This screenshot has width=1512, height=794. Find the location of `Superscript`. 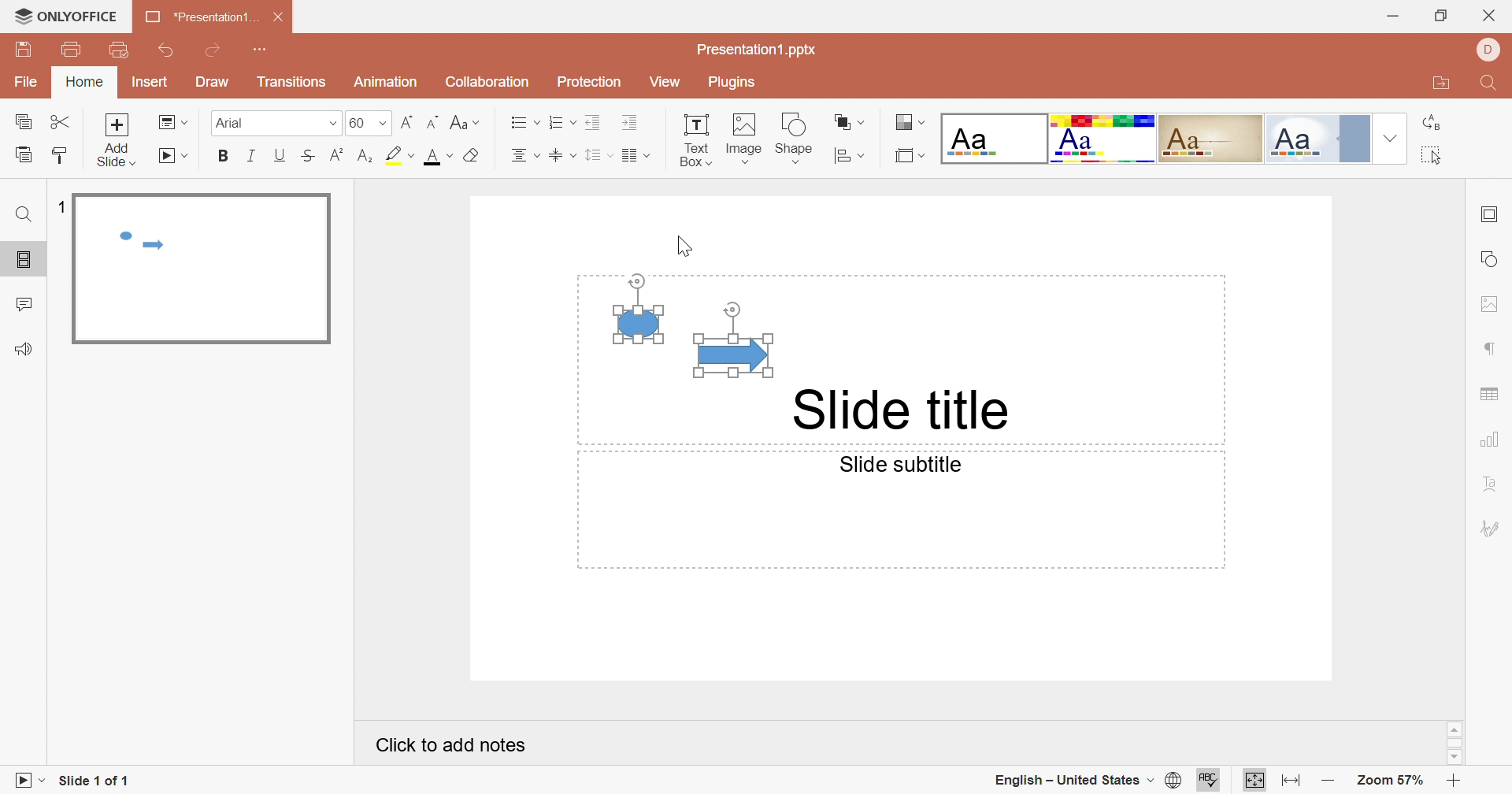

Superscript is located at coordinates (338, 156).